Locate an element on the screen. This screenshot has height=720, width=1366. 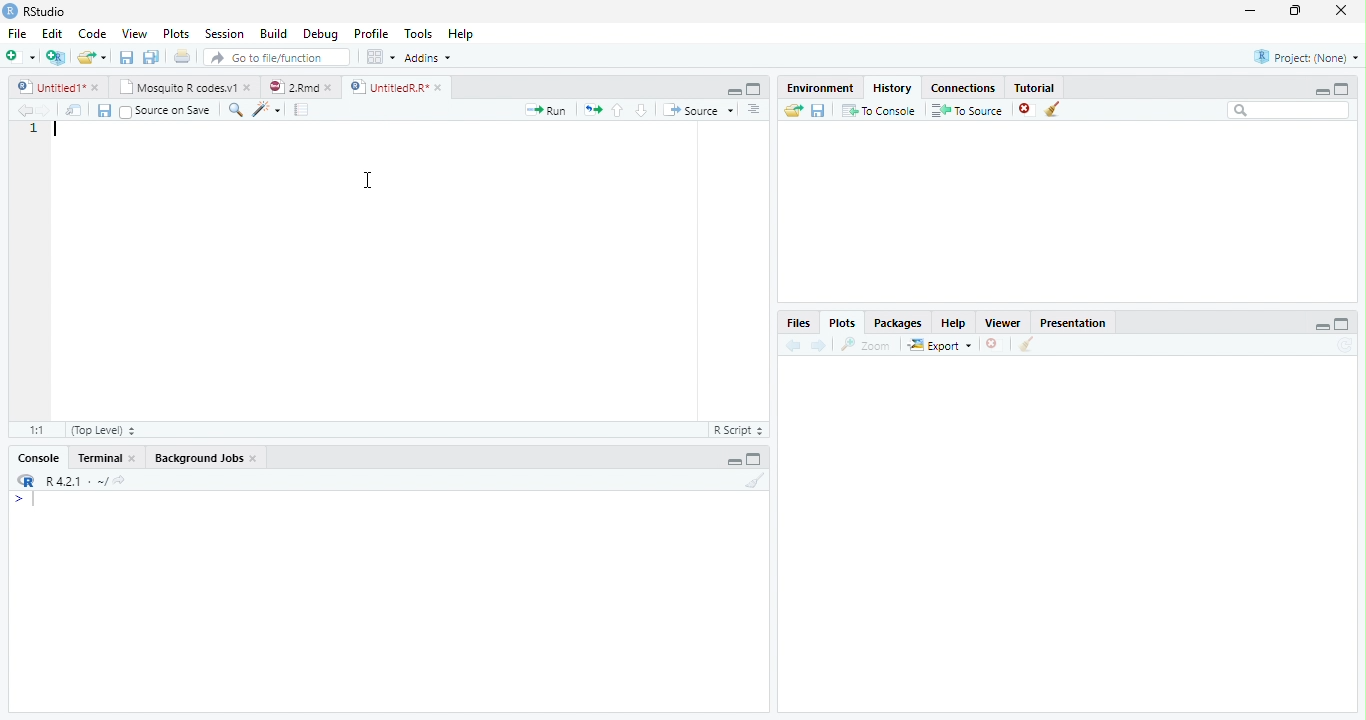
minimize is located at coordinates (734, 462).